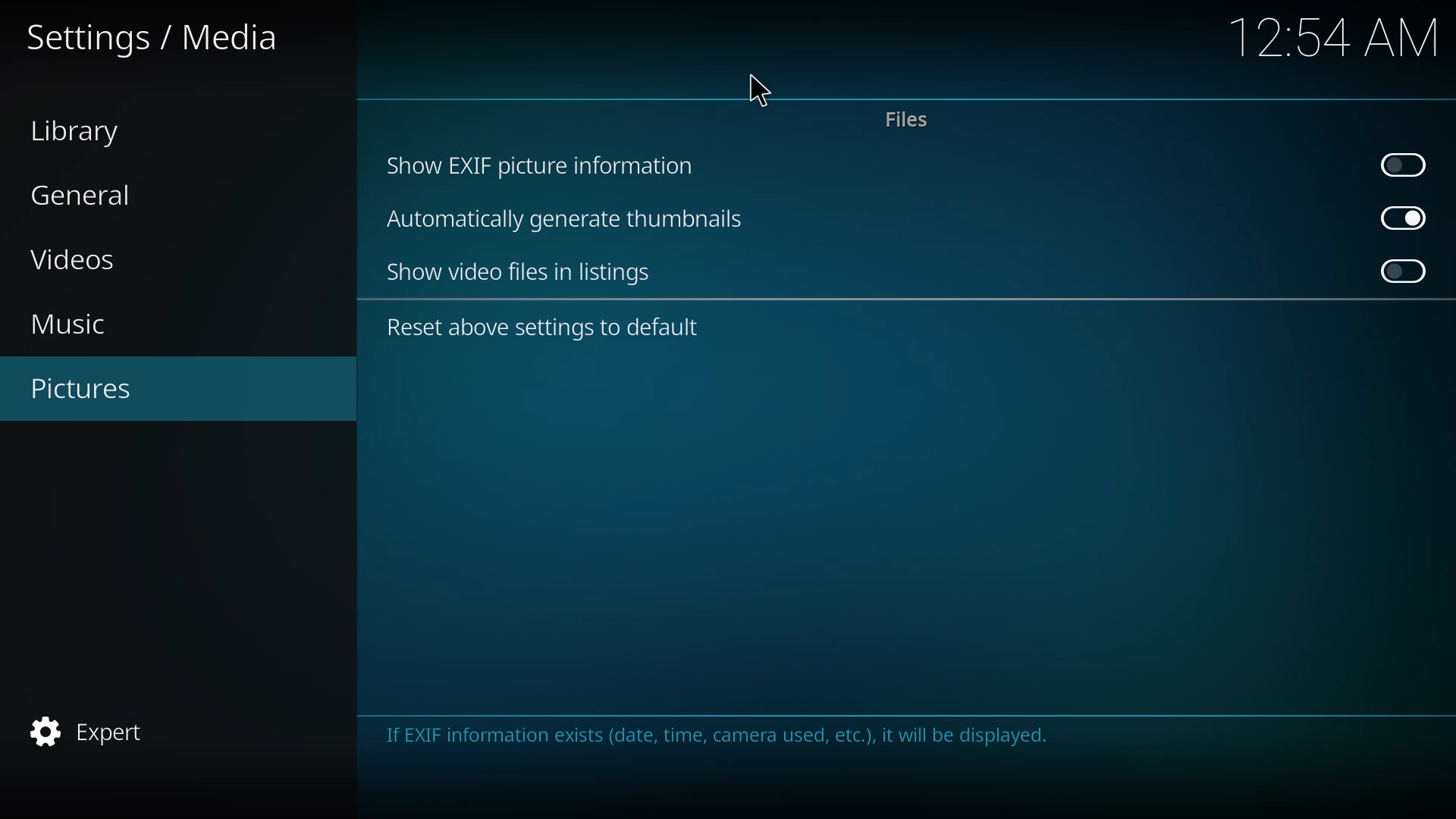 The width and height of the screenshot is (1456, 819). I want to click on automatically generate thumbnails, so click(567, 221).